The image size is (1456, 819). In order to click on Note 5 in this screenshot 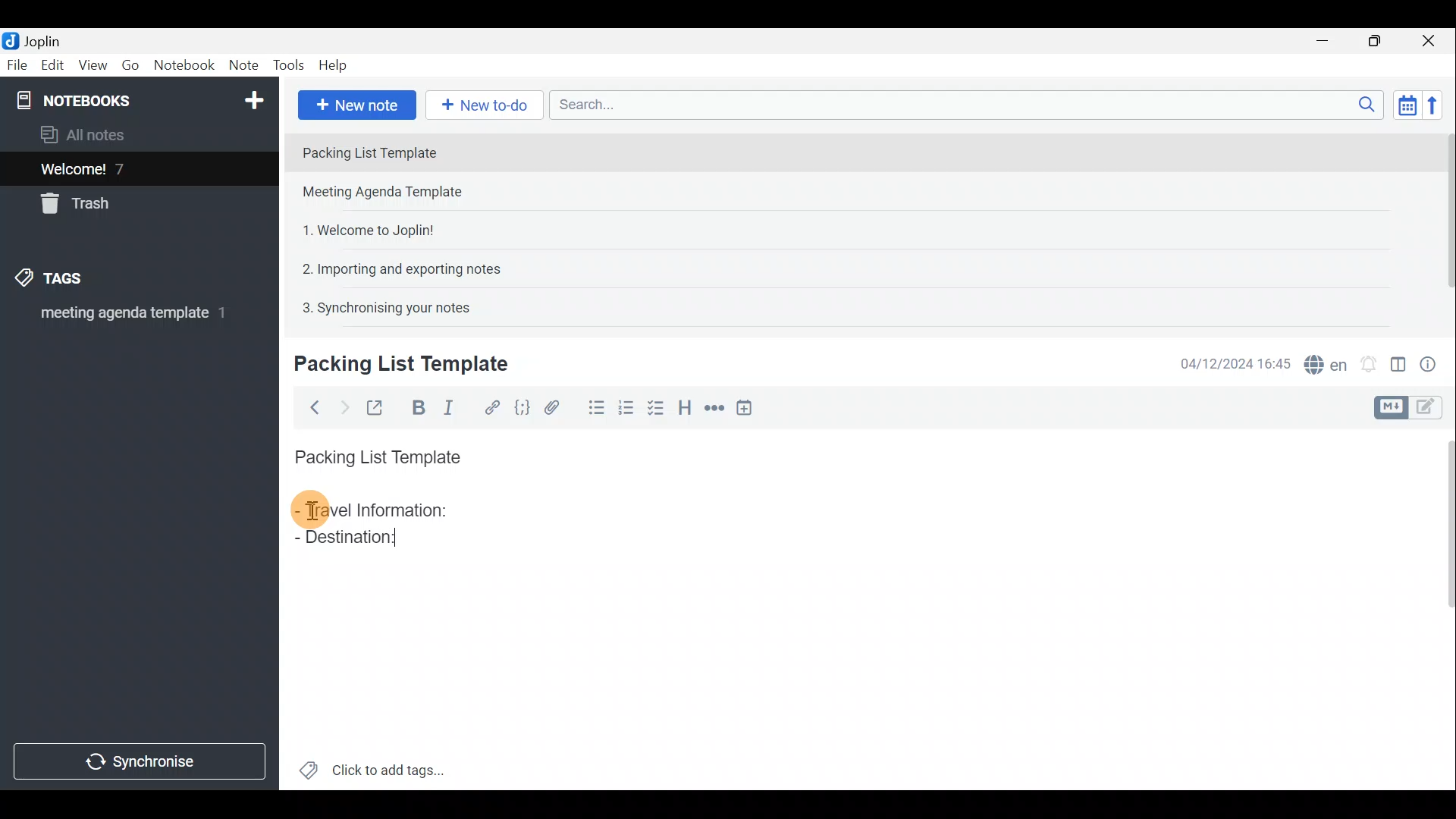, I will do `click(380, 306)`.